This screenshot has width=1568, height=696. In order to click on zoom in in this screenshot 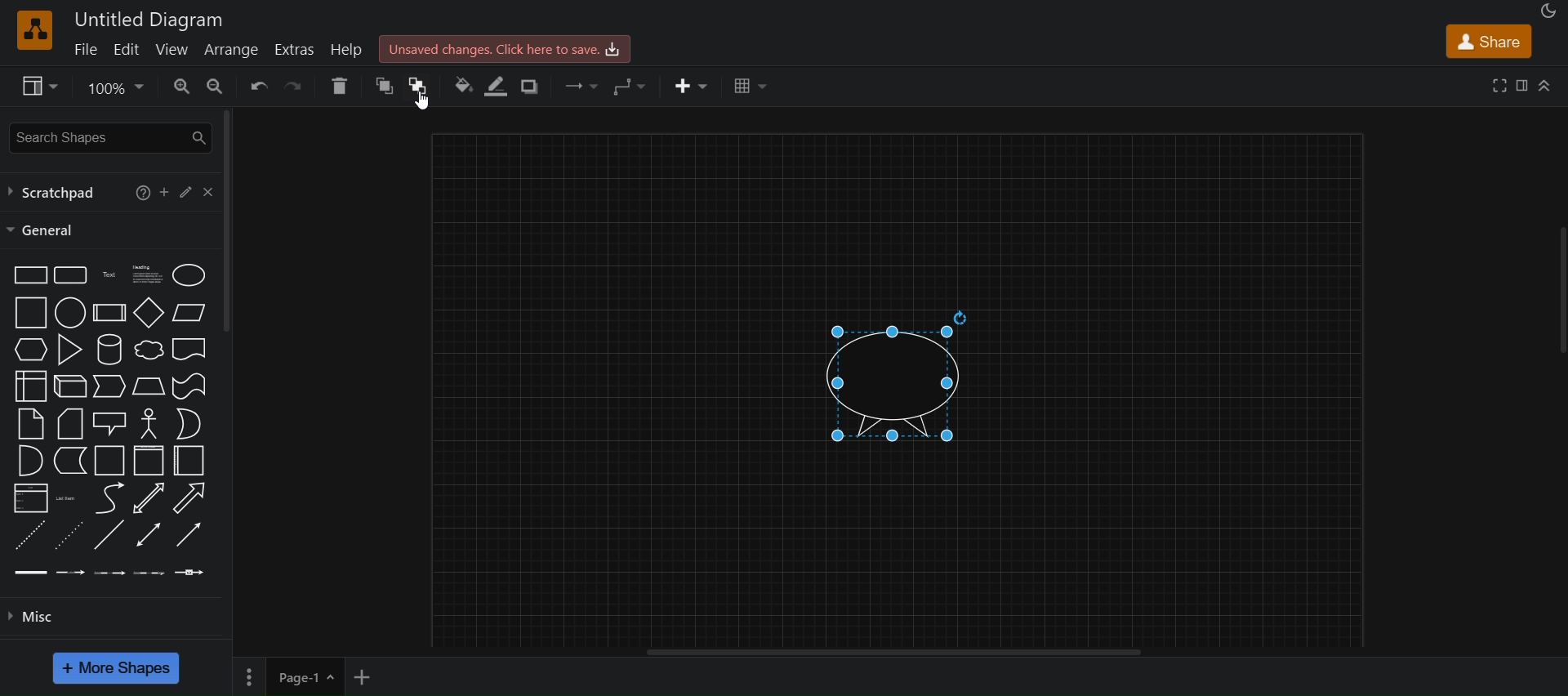, I will do `click(180, 86)`.